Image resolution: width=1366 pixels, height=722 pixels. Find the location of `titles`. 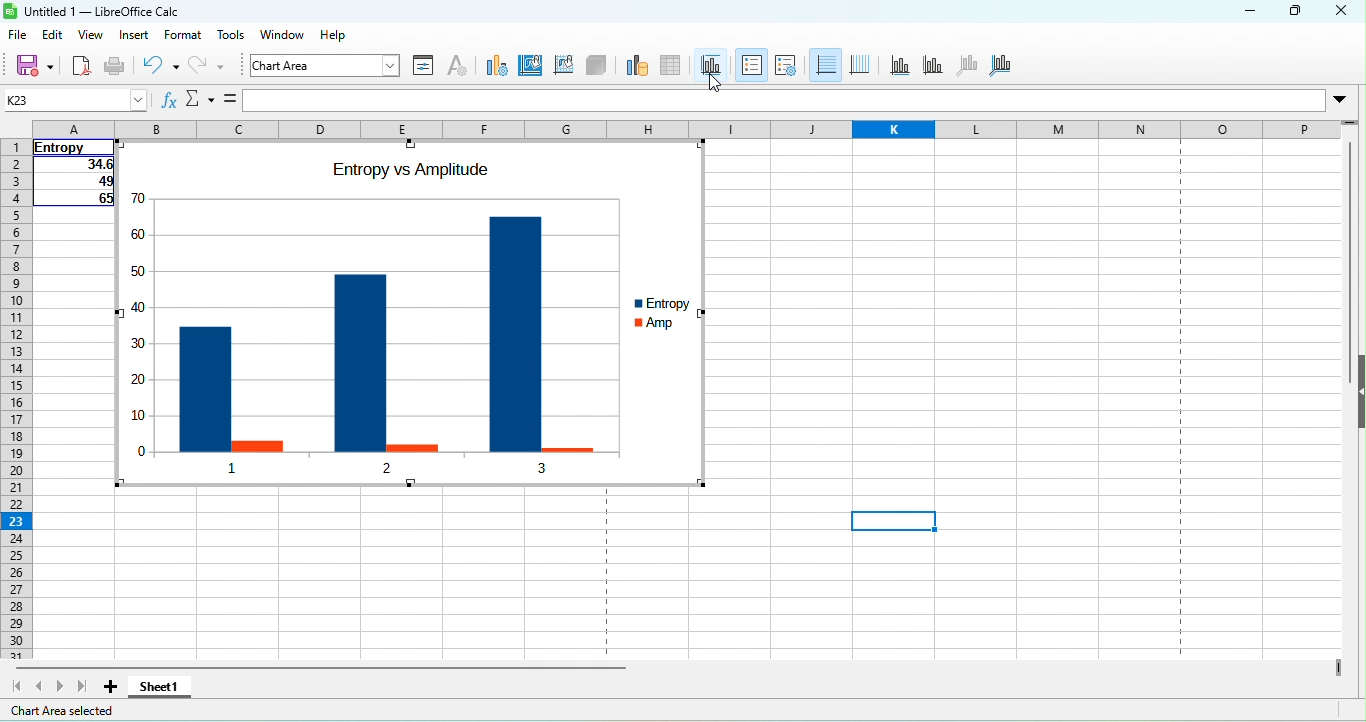

titles is located at coordinates (710, 58).